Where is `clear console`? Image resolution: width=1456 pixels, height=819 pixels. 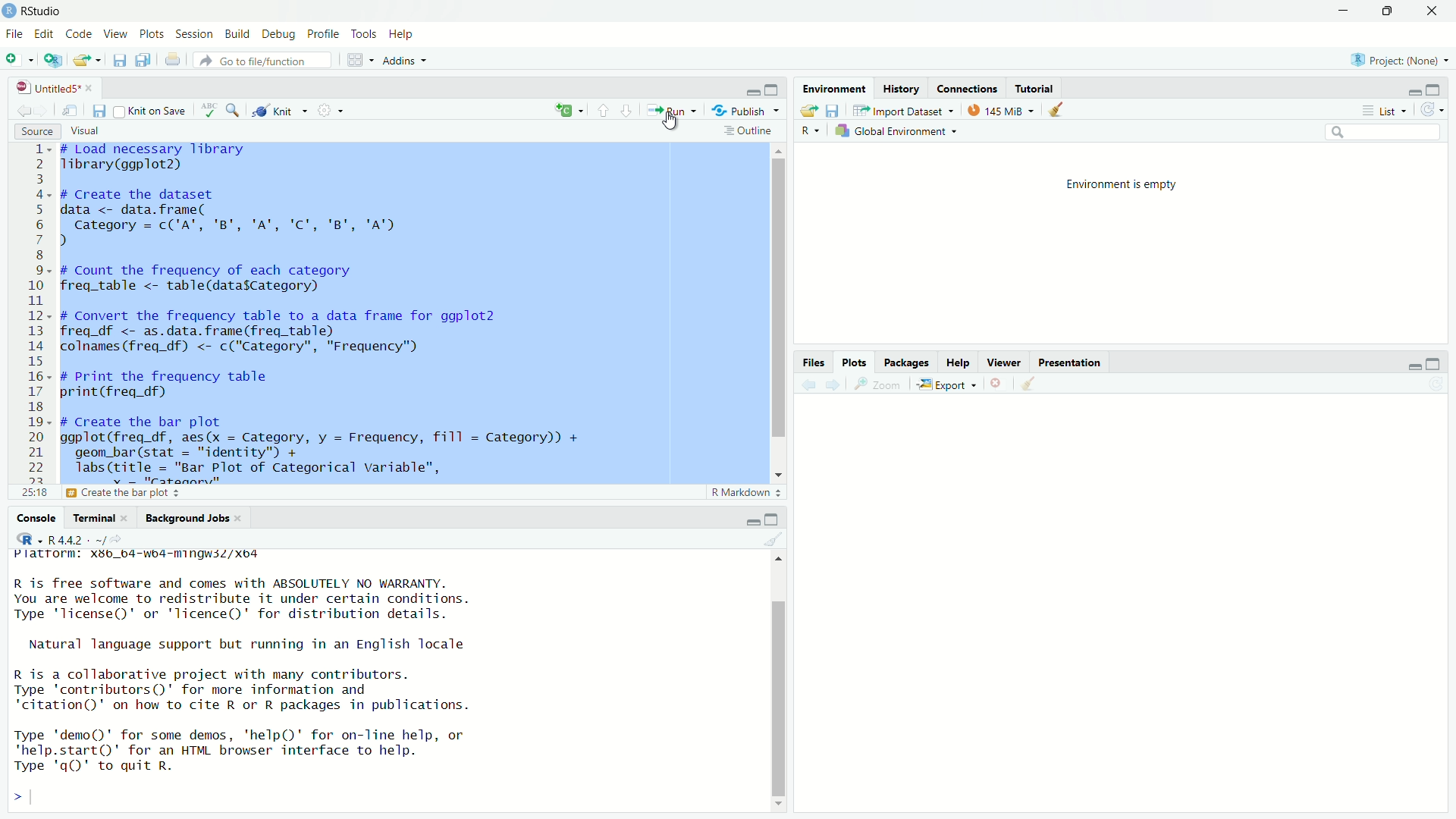 clear console is located at coordinates (781, 539).